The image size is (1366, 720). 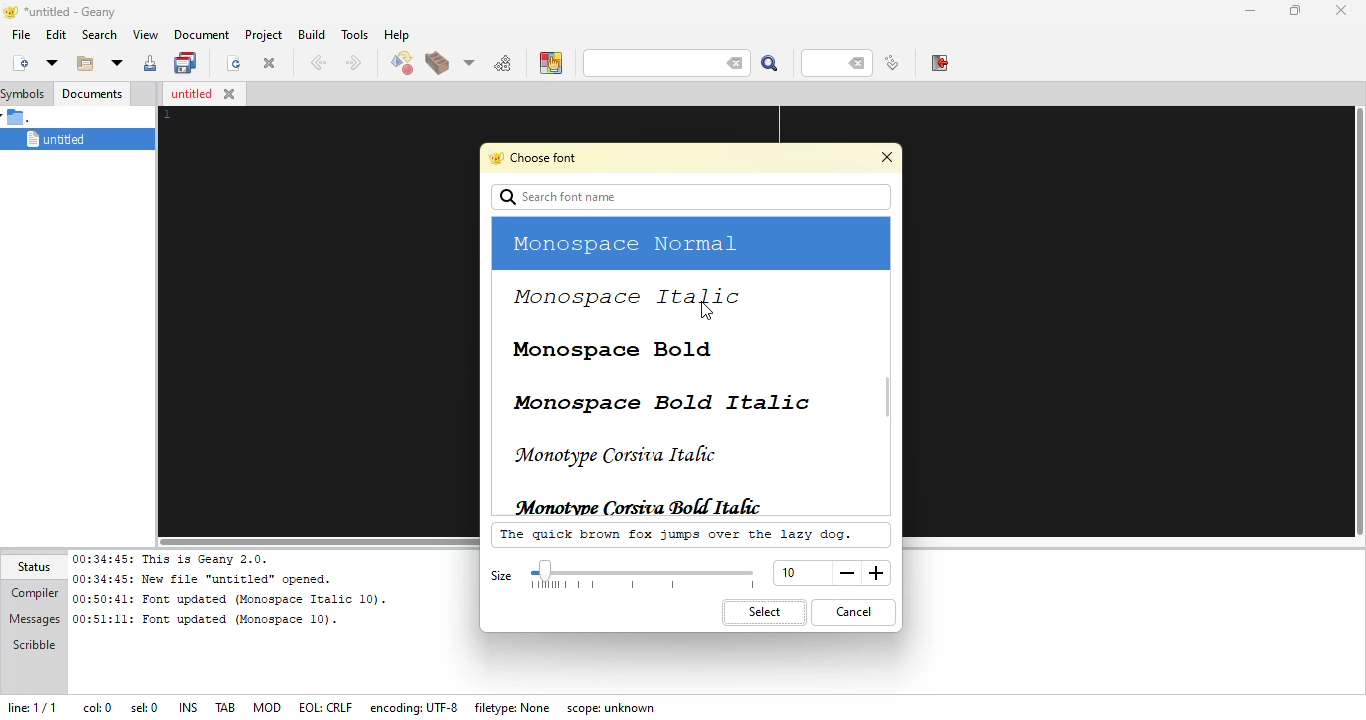 I want to click on select size, so click(x=645, y=572).